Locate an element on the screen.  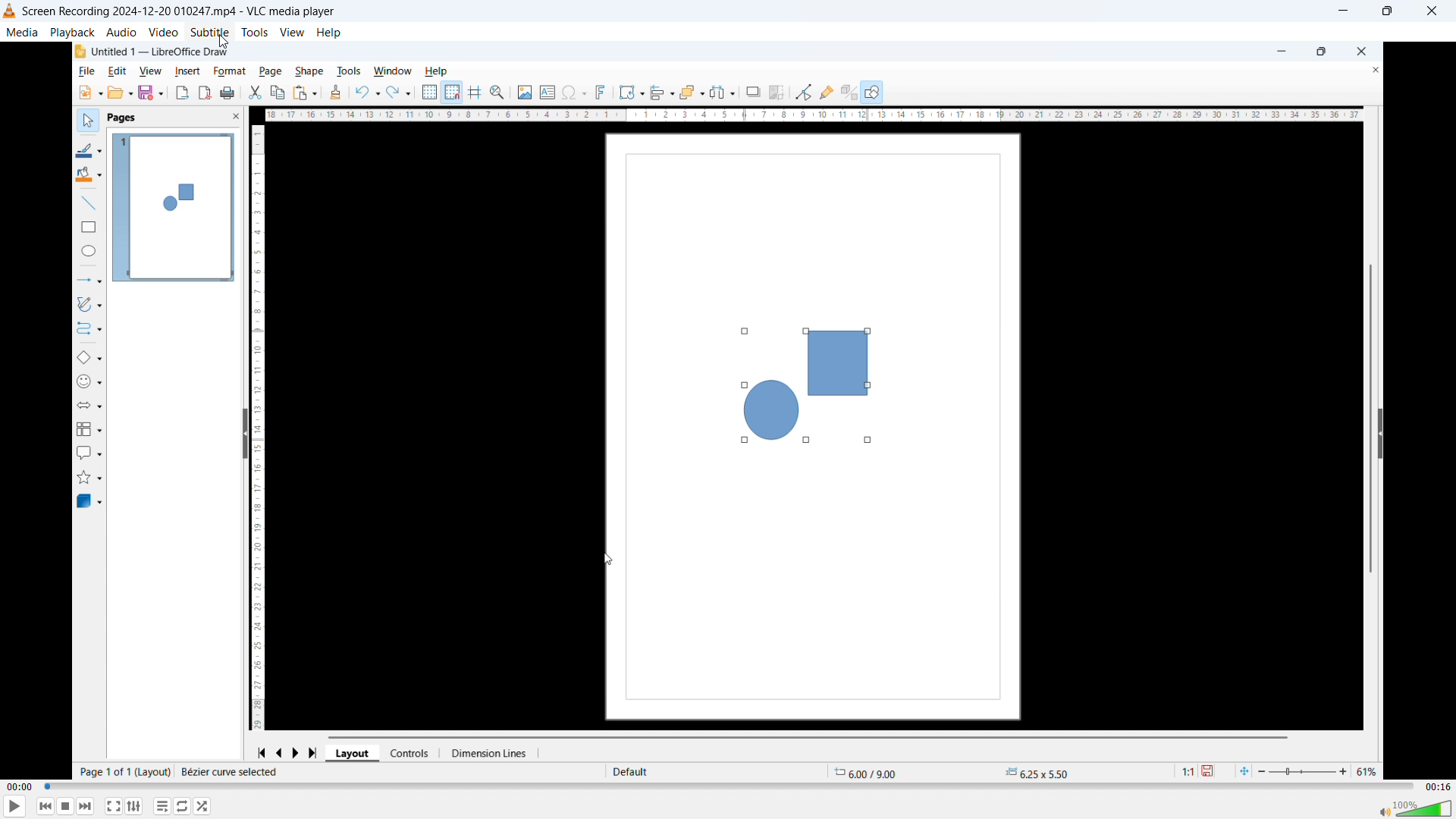
Play  is located at coordinates (15, 807).